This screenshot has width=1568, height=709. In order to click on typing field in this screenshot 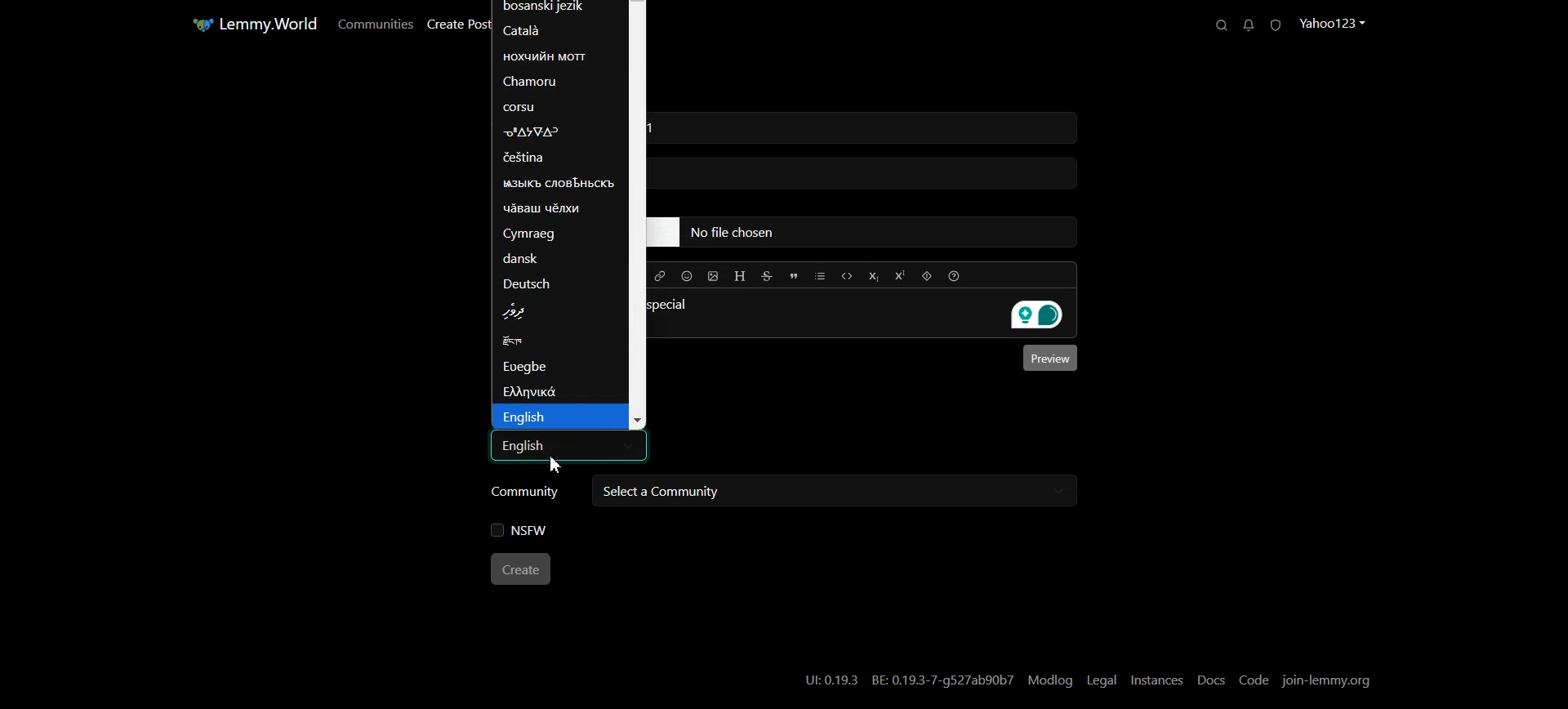, I will do `click(863, 232)`.